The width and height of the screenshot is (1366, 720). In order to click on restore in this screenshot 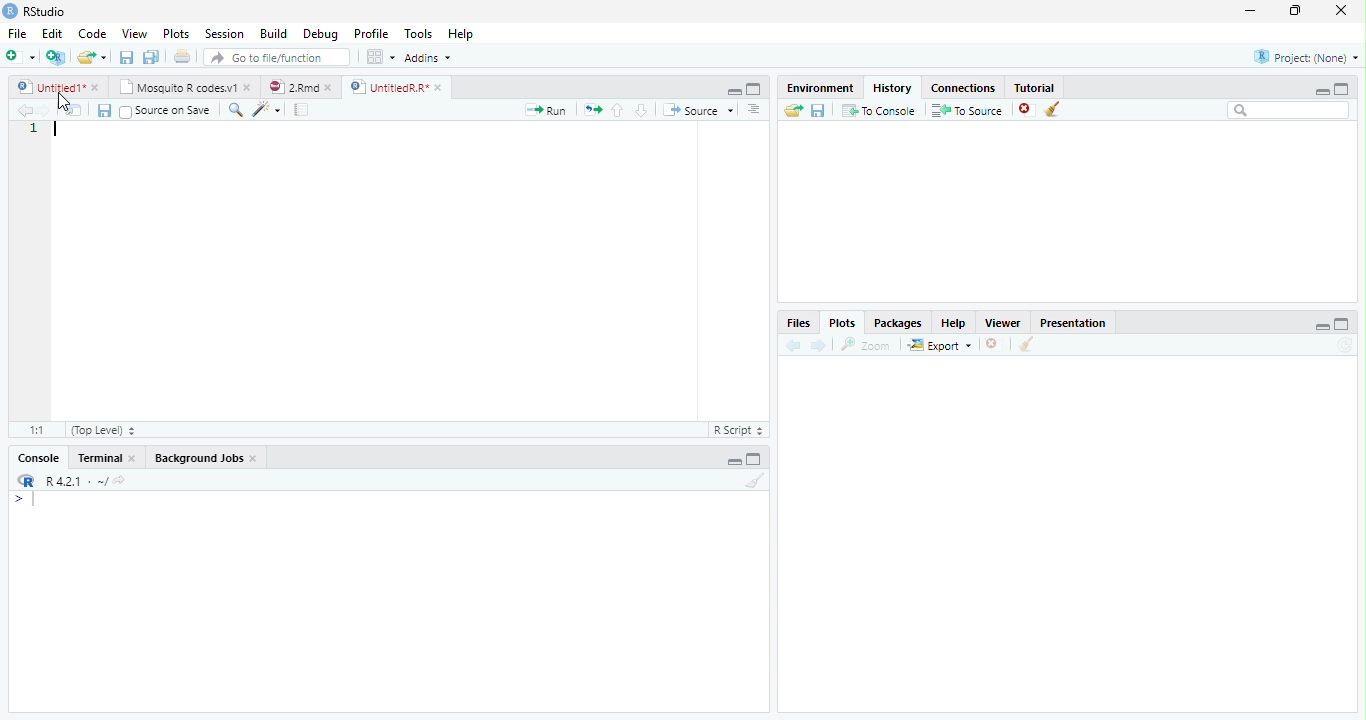, I will do `click(1295, 11)`.